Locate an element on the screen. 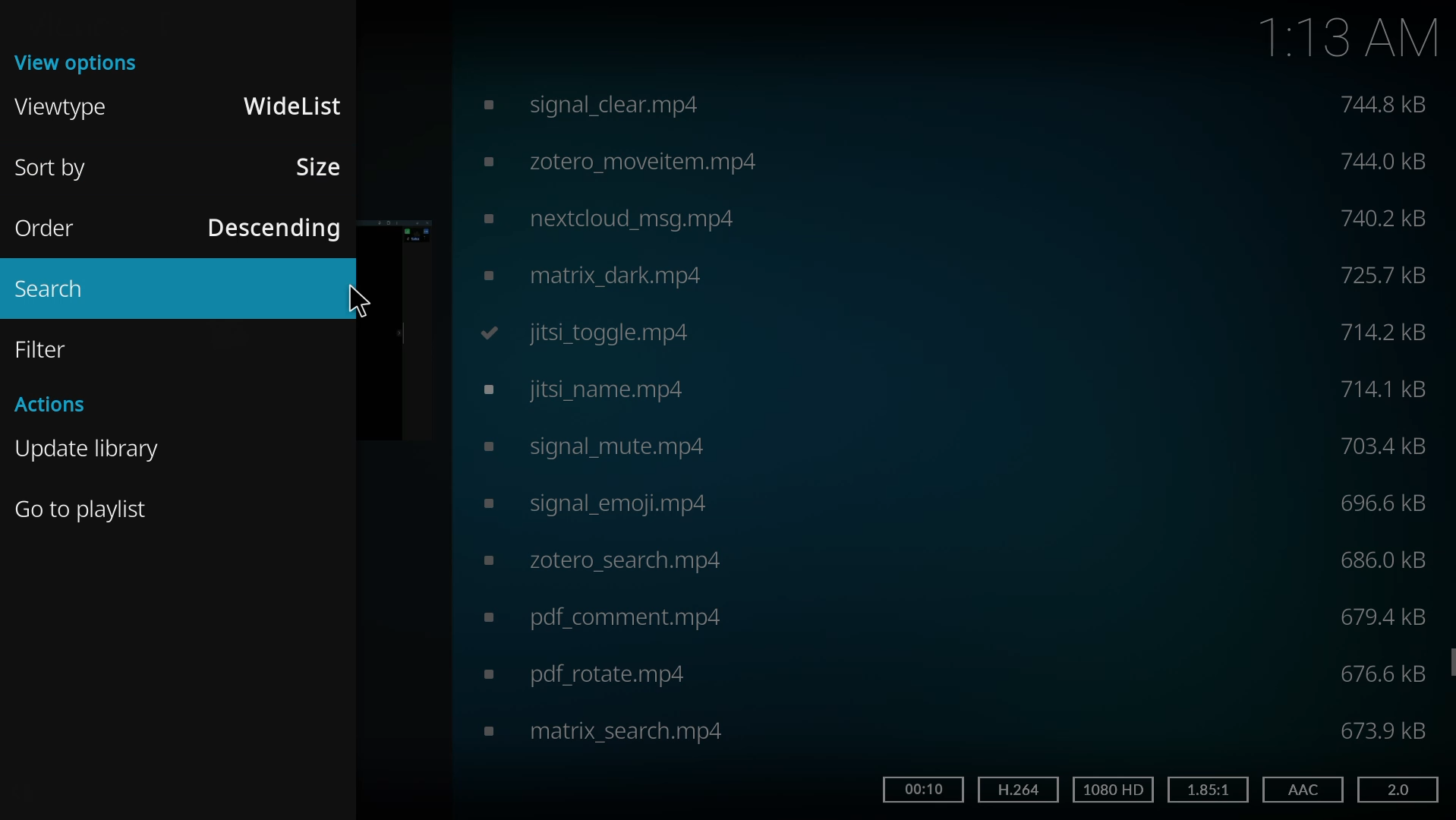  size is located at coordinates (1384, 618).